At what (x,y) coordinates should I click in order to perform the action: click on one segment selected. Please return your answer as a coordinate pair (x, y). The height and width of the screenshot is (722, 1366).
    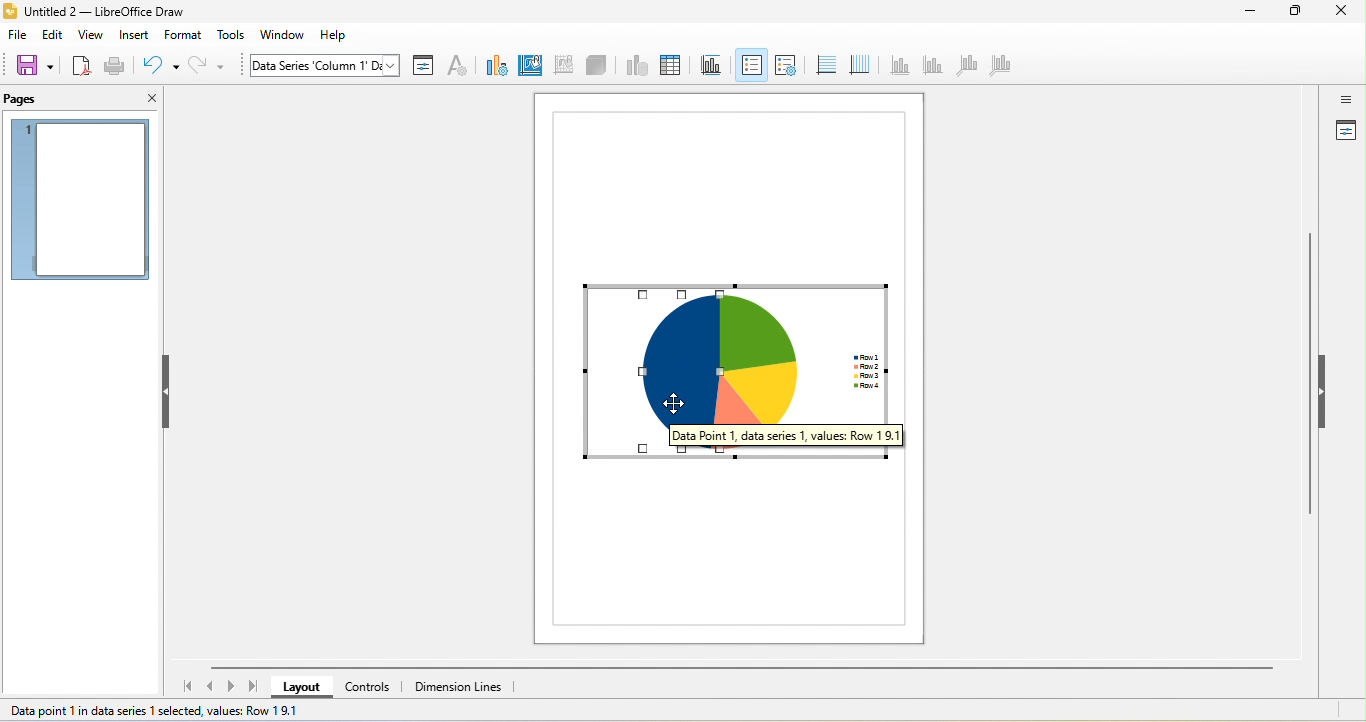
    Looking at the image, I should click on (659, 370).